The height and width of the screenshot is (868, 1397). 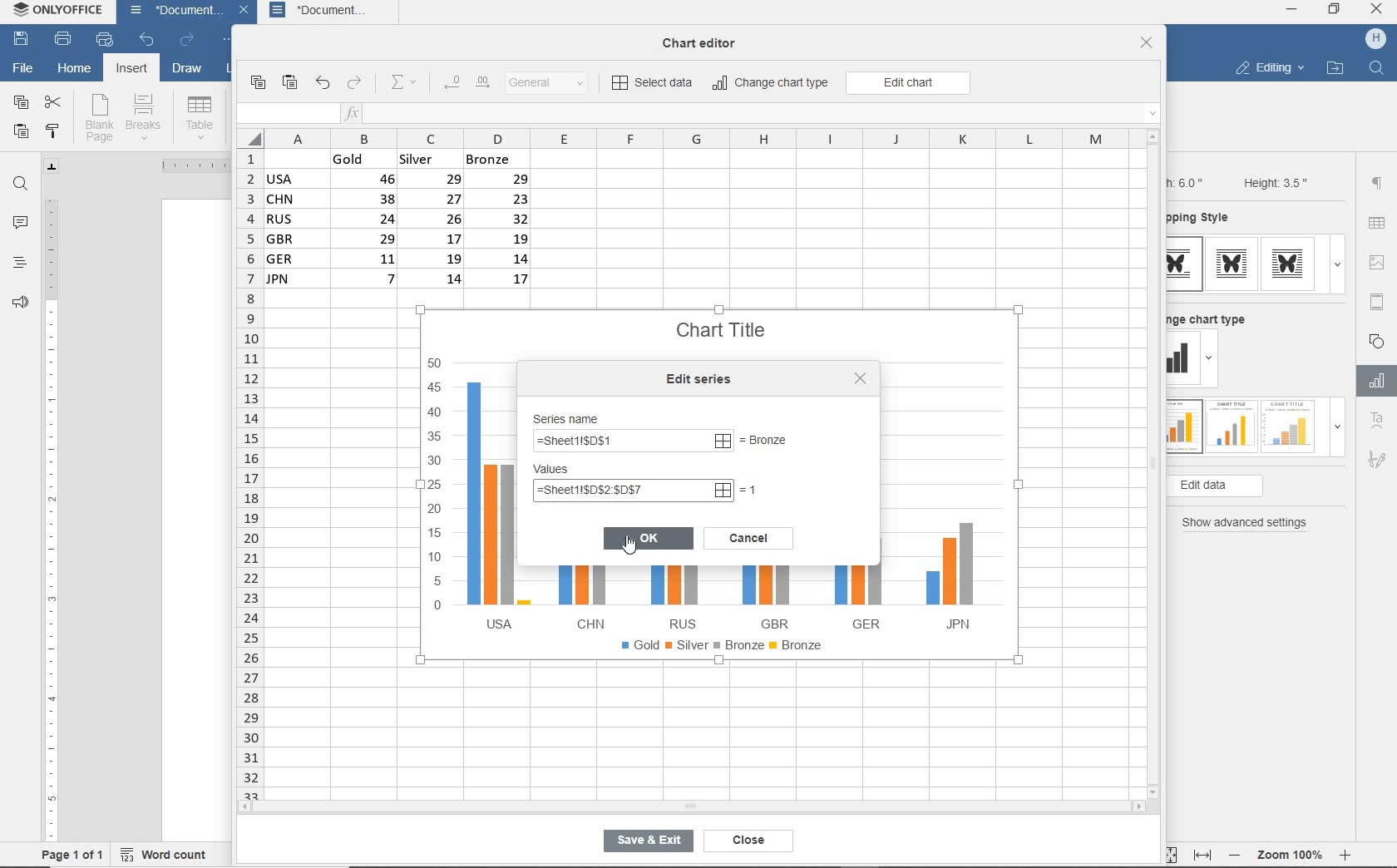 What do you see at coordinates (585, 595) in the screenshot?
I see `CHN` at bounding box center [585, 595].